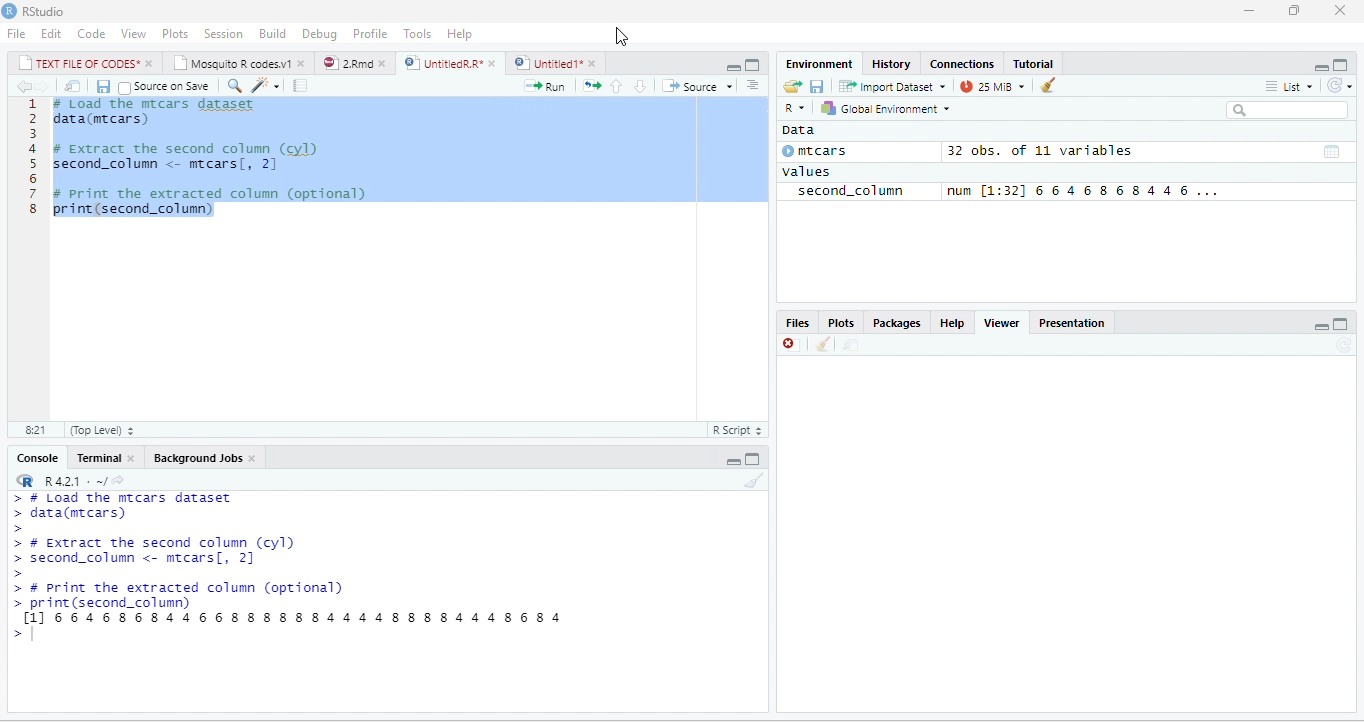  Describe the element at coordinates (195, 457) in the screenshot. I see `‘Background Jobs` at that location.